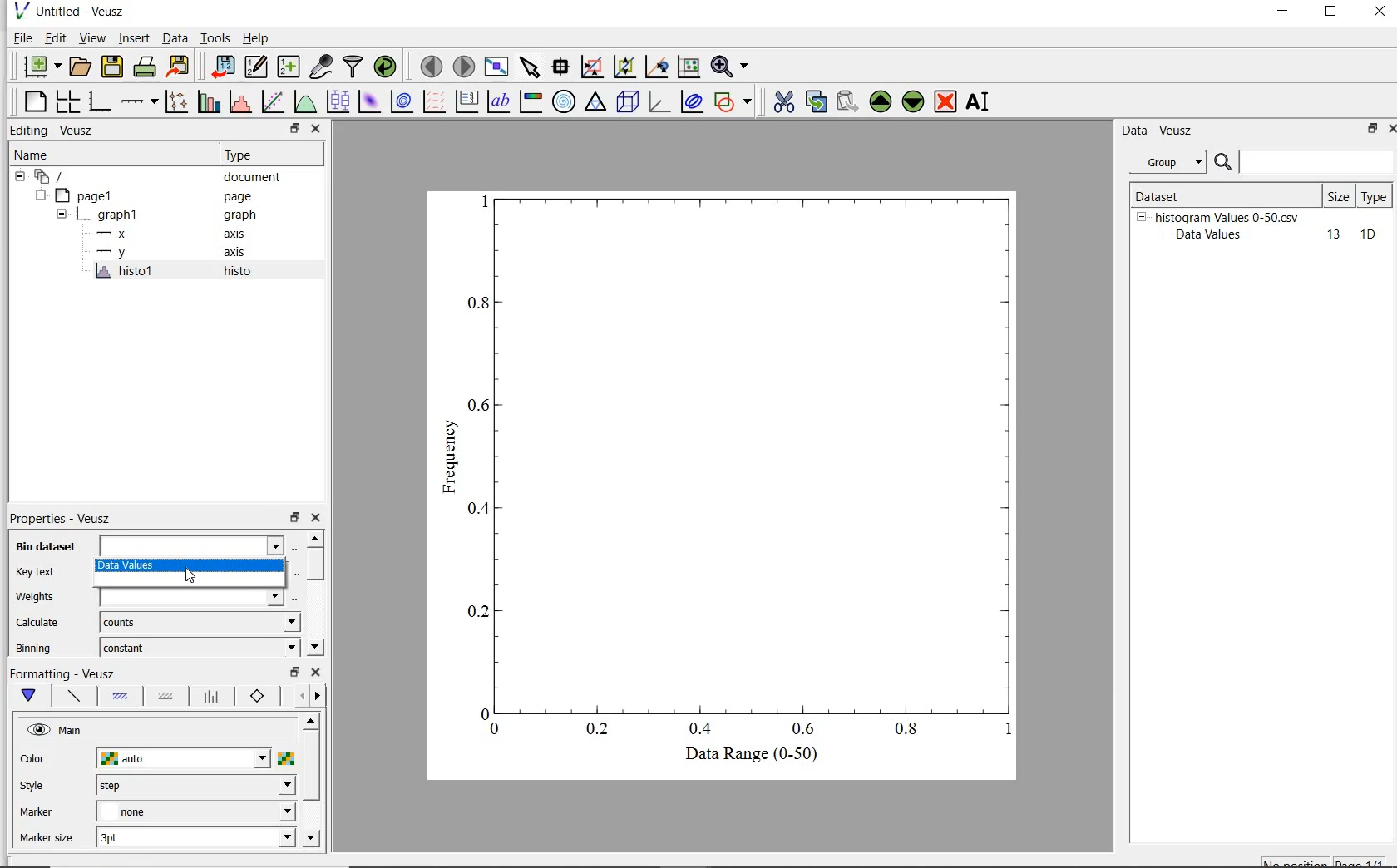  Describe the element at coordinates (1331, 13) in the screenshot. I see `restore down` at that location.